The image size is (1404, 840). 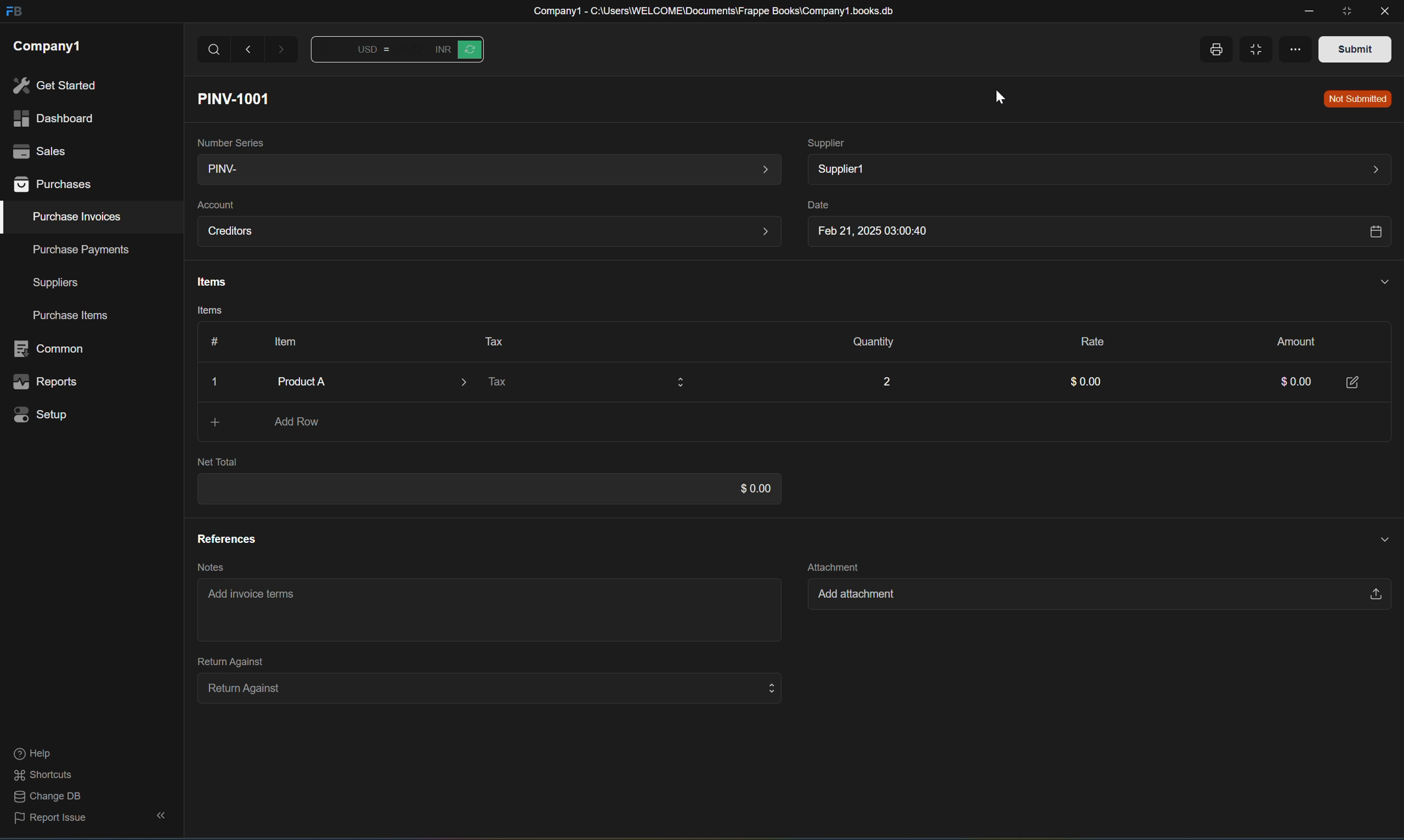 I want to click on company1, so click(x=47, y=45).